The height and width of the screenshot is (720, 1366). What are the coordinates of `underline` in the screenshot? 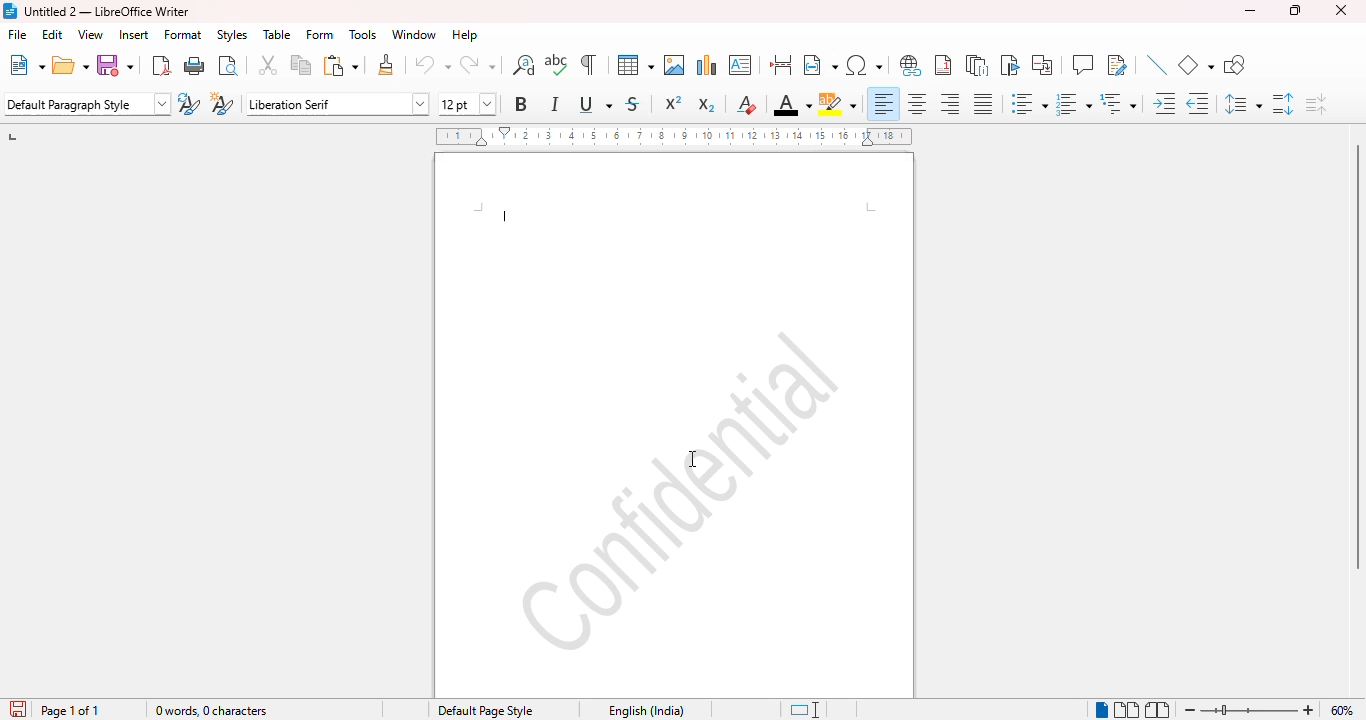 It's located at (595, 104).